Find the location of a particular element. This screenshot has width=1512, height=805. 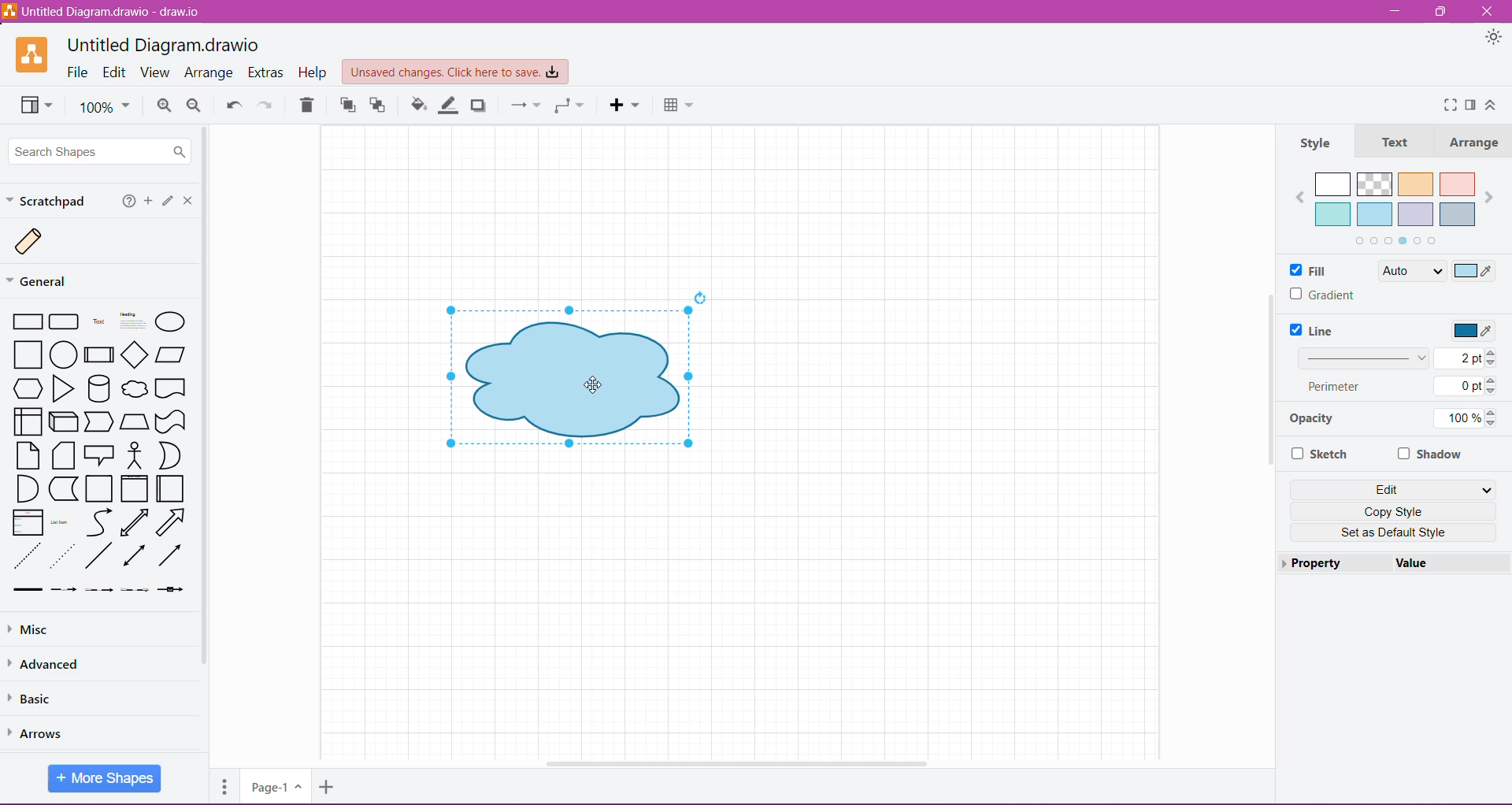

Restore Down is located at coordinates (1443, 12).